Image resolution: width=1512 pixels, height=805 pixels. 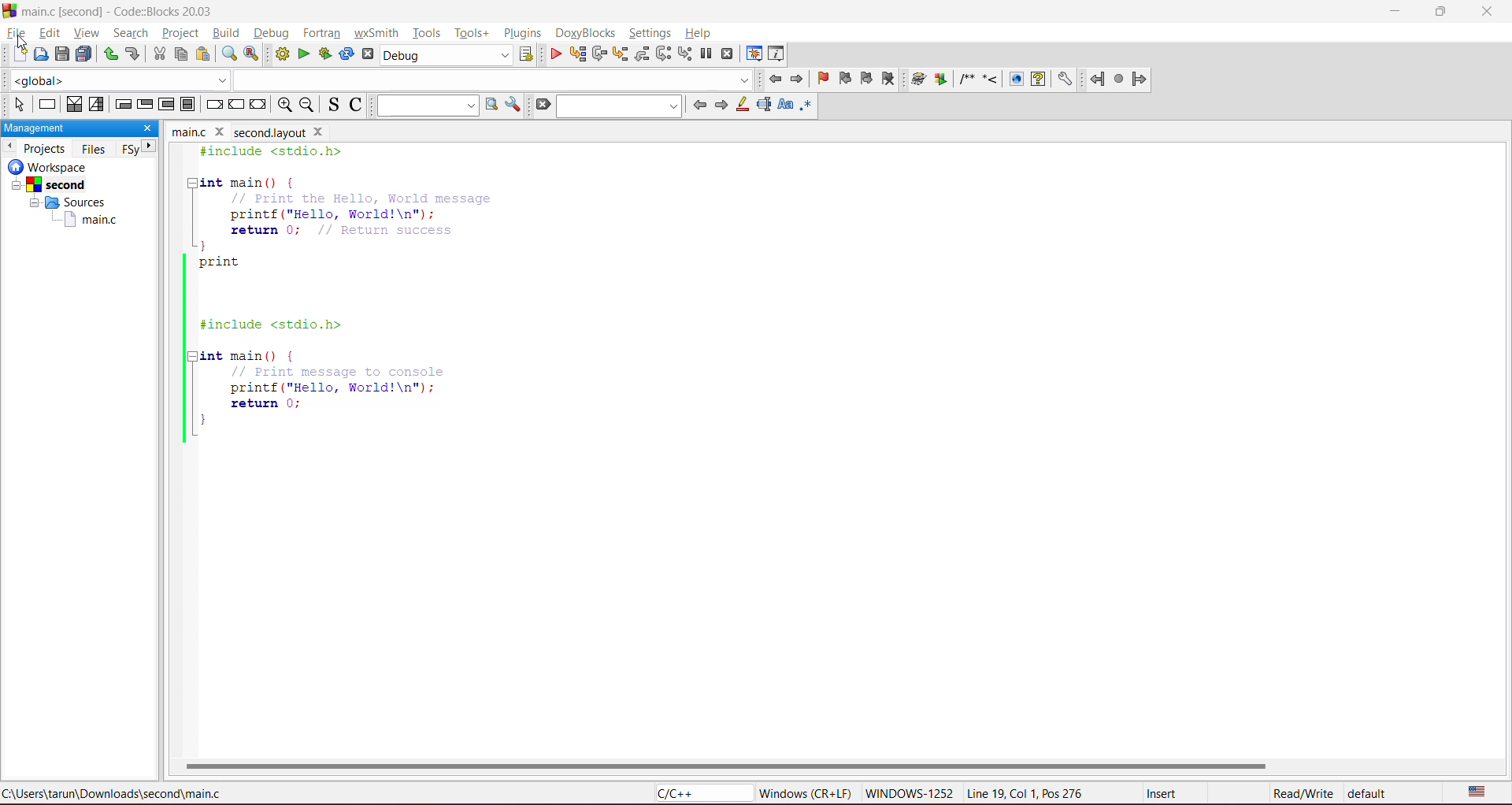 I want to click on file name, so click(x=251, y=132).